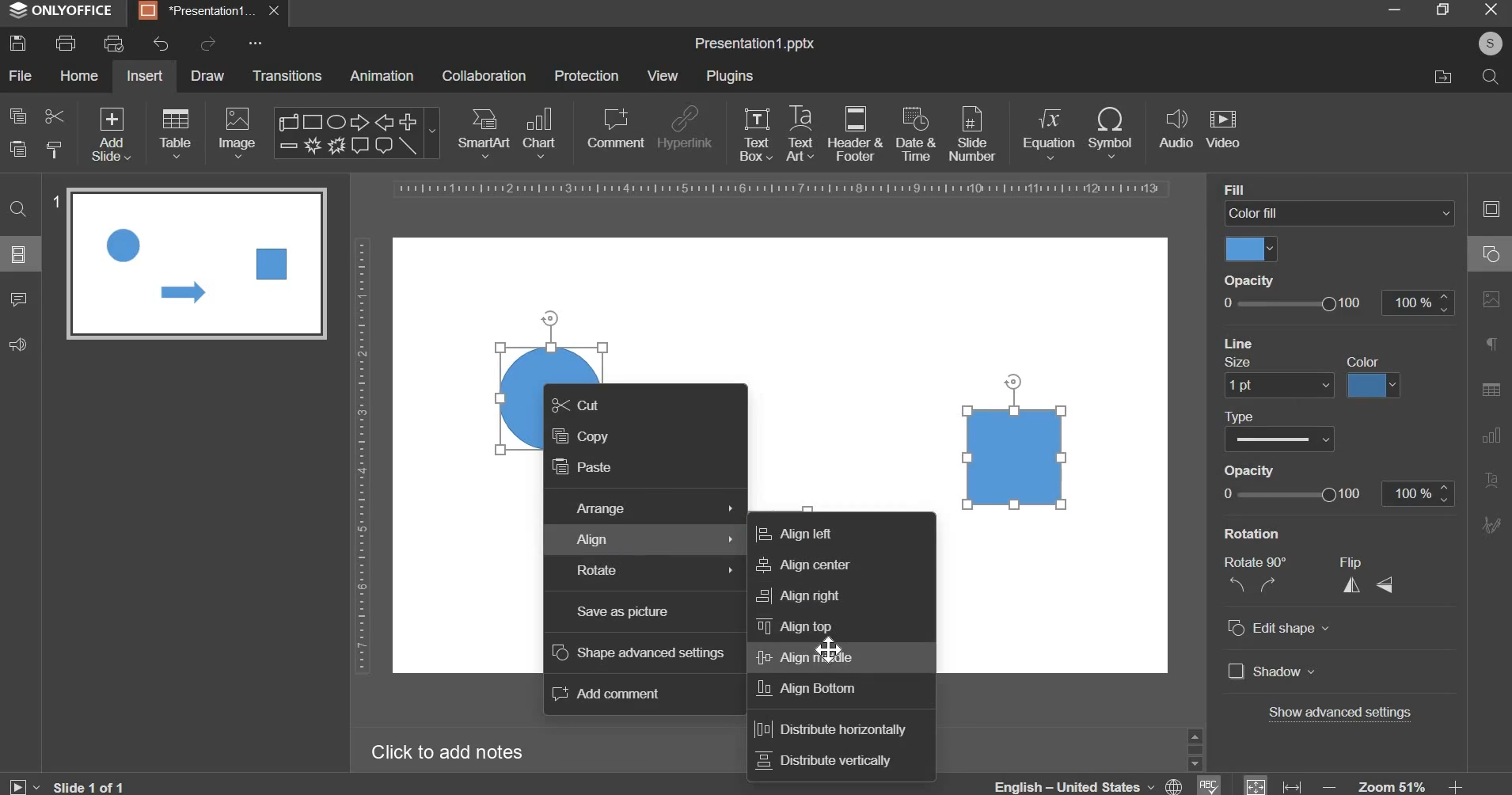 The image size is (1512, 795). I want to click on Slide1 of 1, so click(94, 785).